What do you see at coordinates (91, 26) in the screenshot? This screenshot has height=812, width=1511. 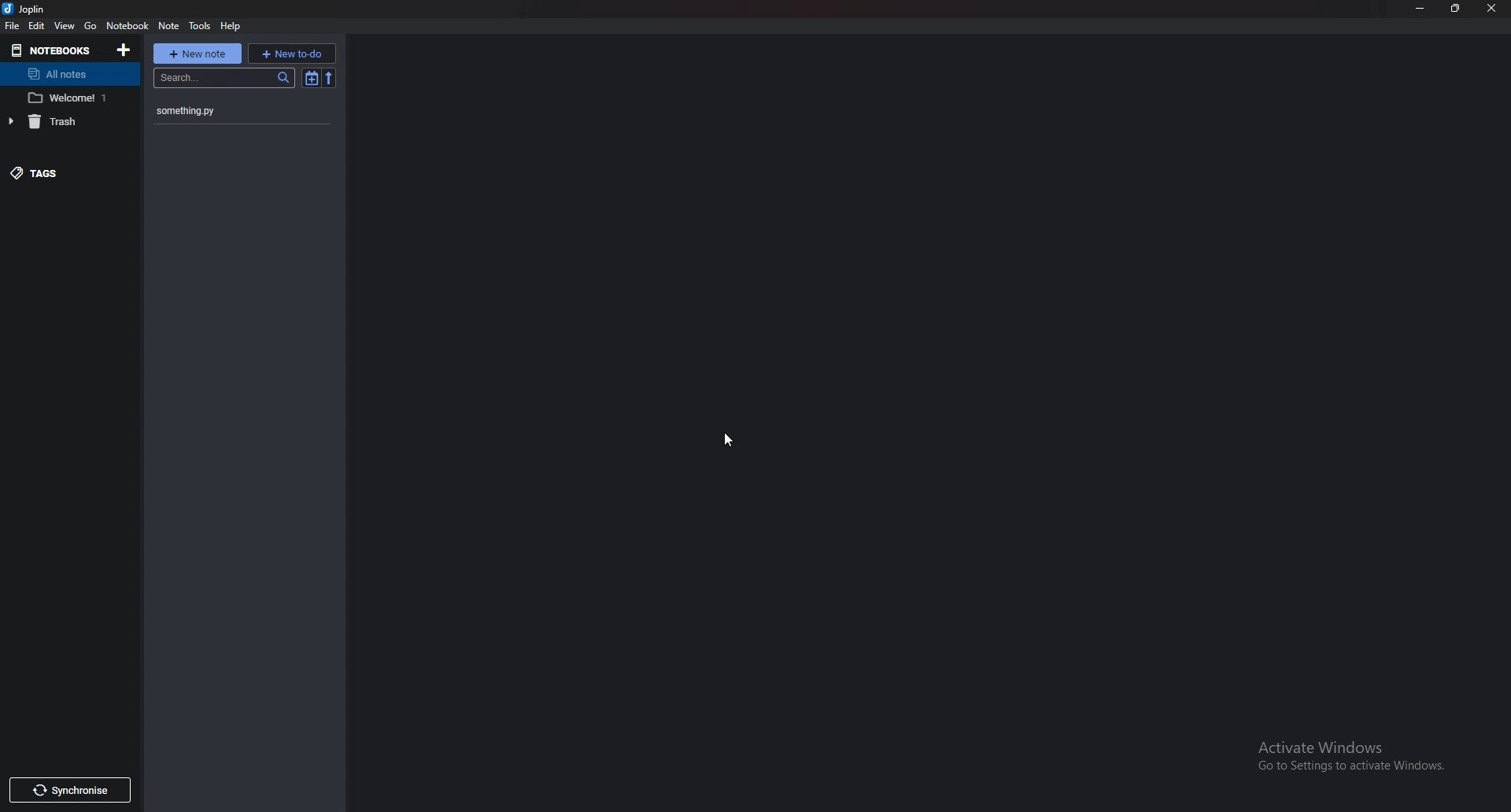 I see `go` at bounding box center [91, 26].